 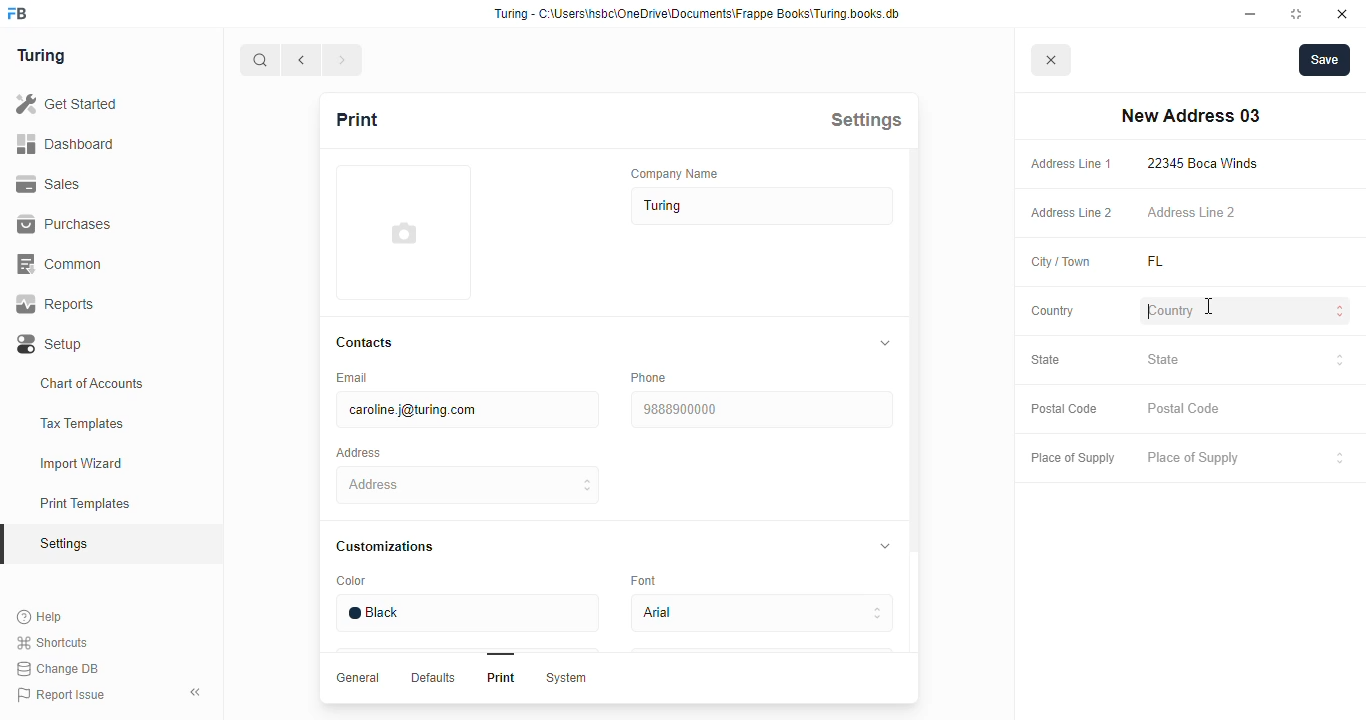 I want to click on toggle maximize, so click(x=1295, y=13).